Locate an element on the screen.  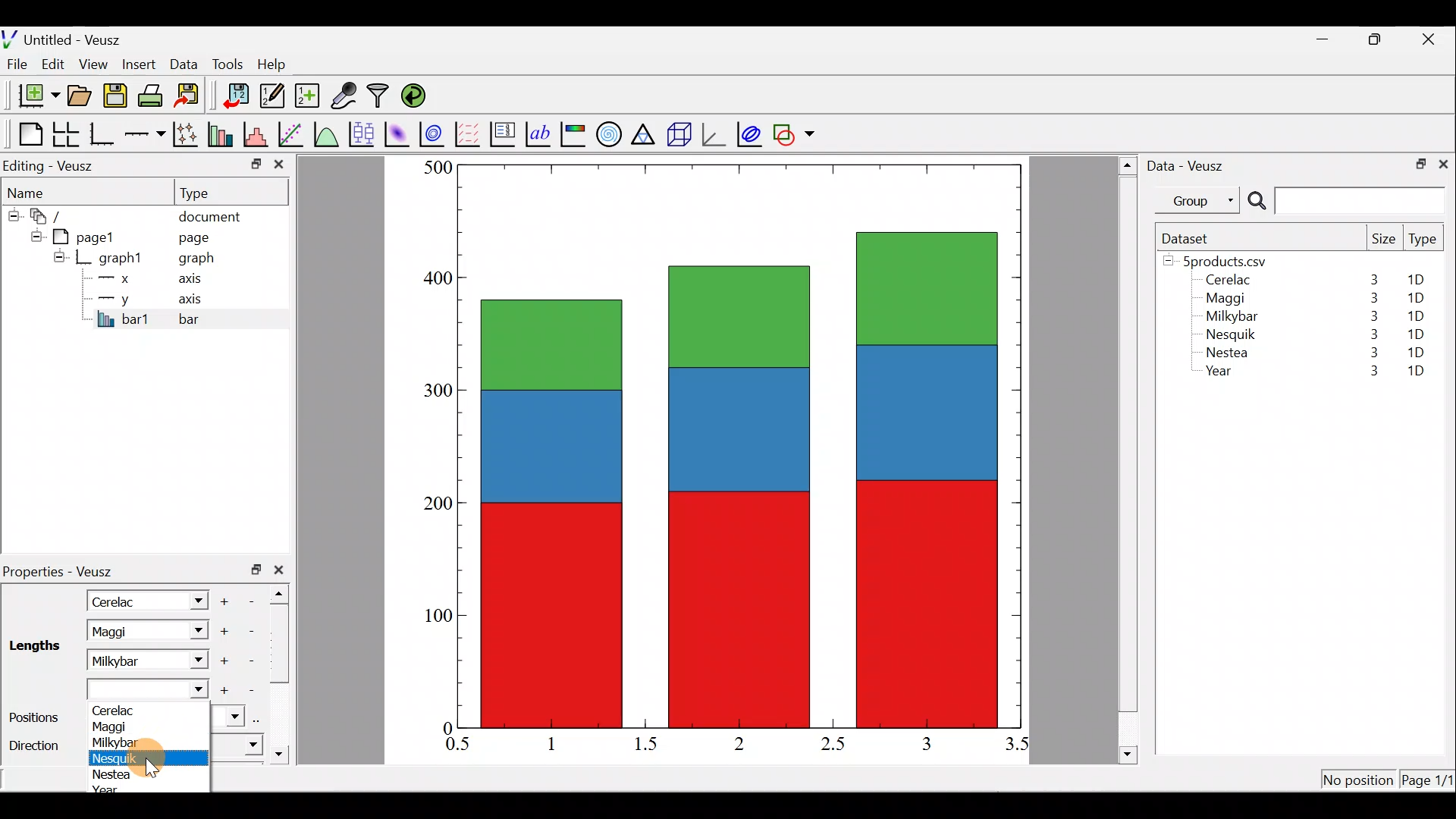
Type is located at coordinates (209, 192).